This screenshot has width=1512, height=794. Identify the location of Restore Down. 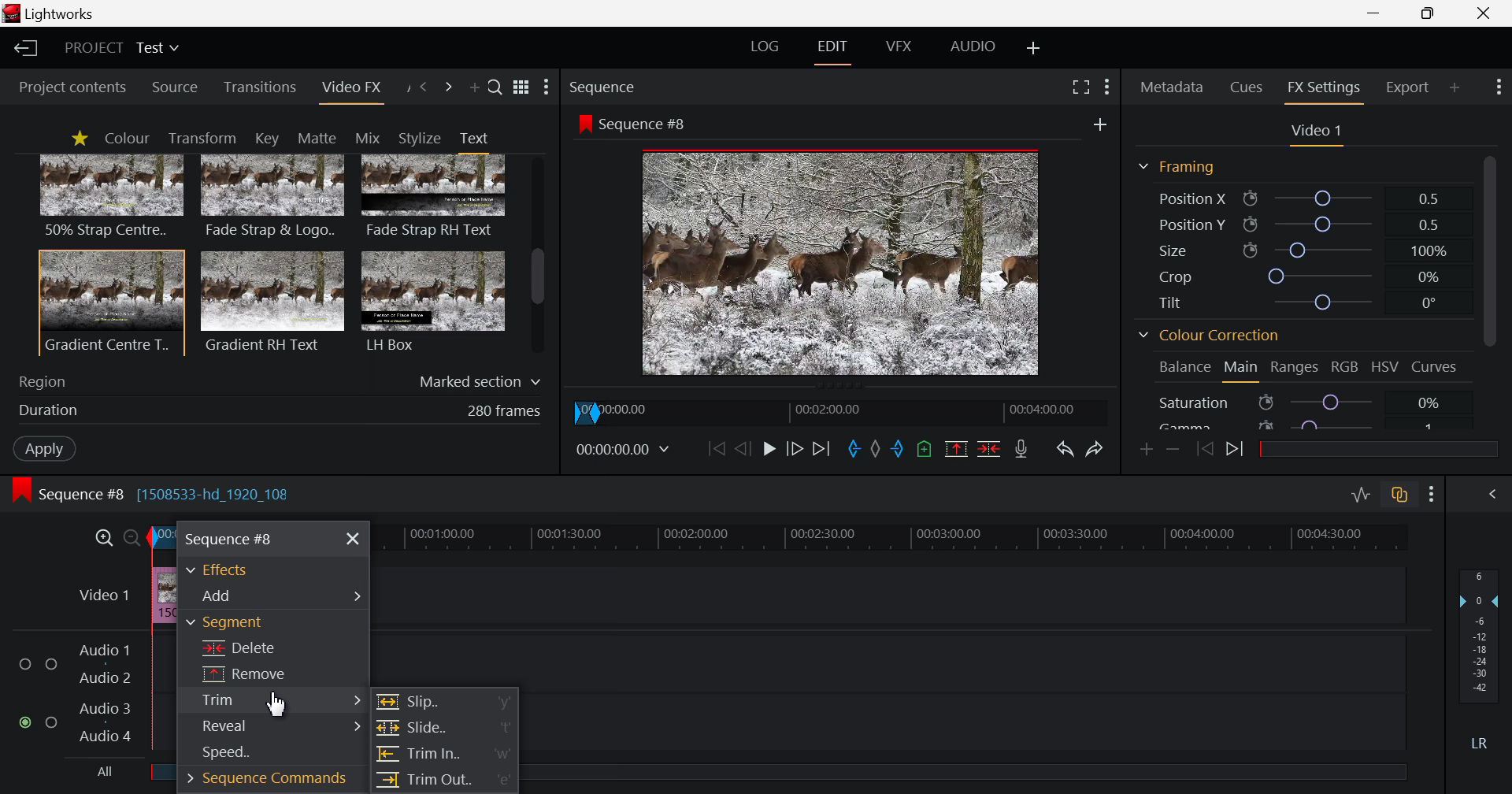
(1377, 13).